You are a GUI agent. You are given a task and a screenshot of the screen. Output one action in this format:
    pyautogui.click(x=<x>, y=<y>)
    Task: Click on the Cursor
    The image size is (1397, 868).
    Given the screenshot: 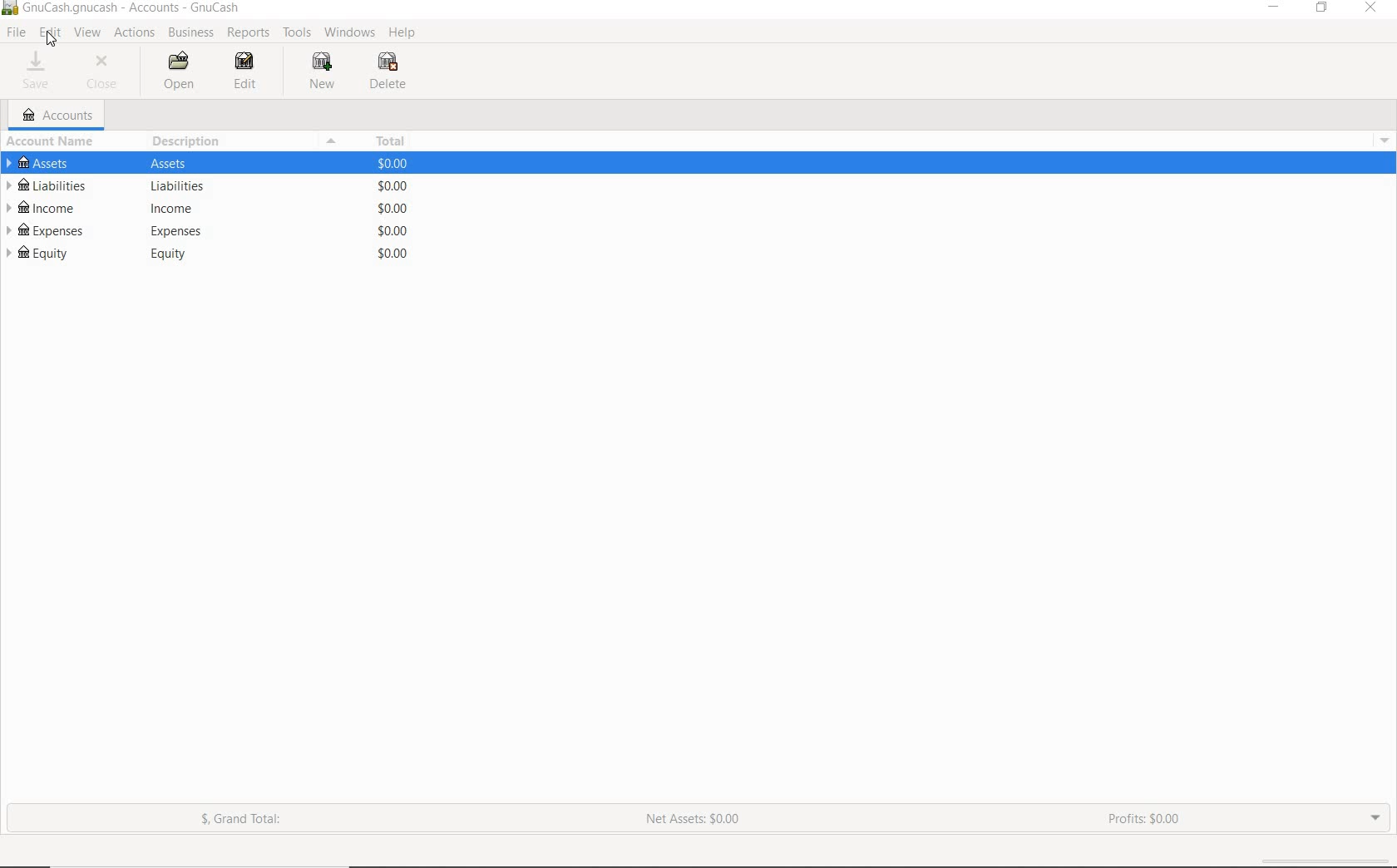 What is the action you would take?
    pyautogui.click(x=49, y=40)
    